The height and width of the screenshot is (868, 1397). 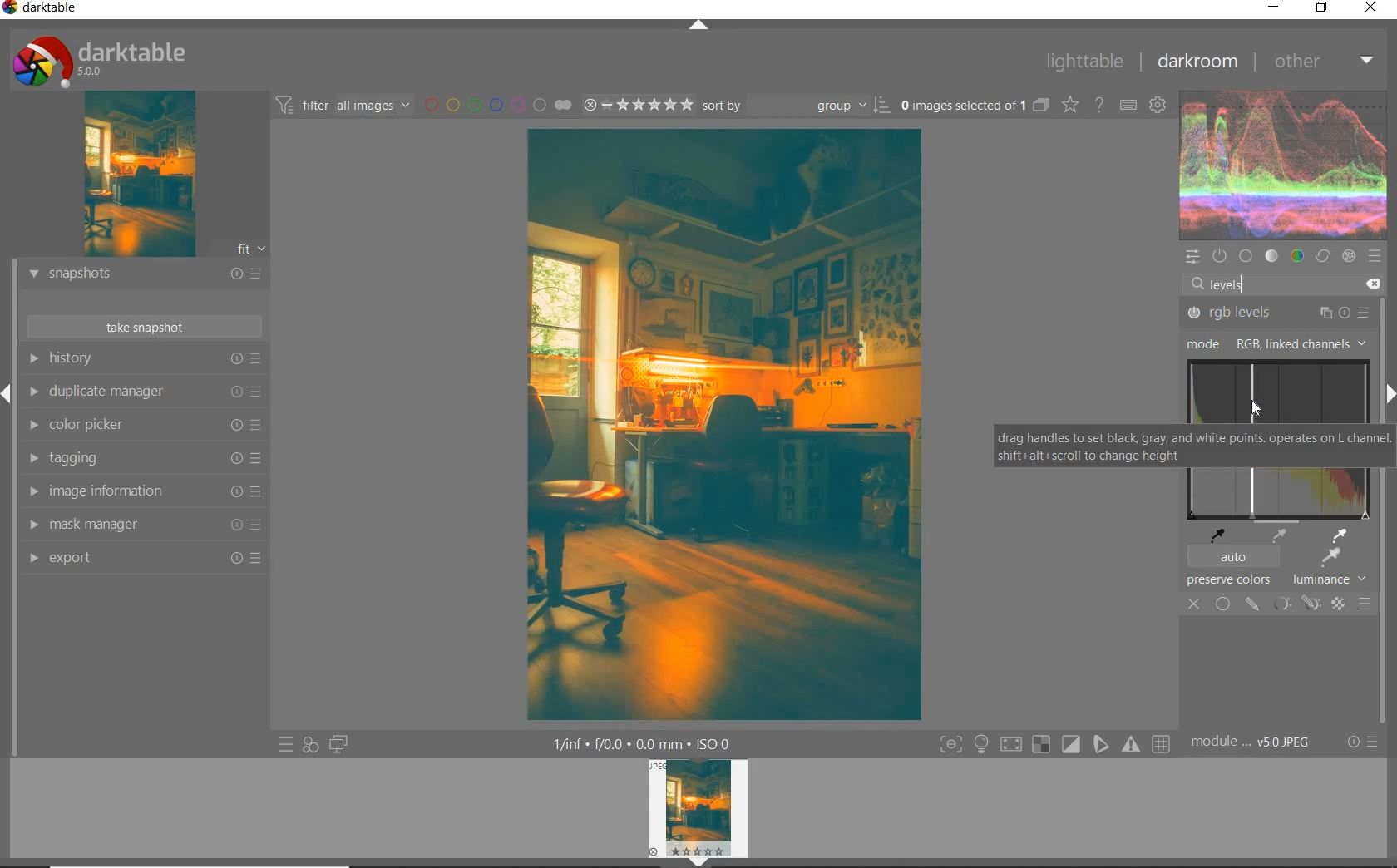 I want to click on history, so click(x=144, y=358).